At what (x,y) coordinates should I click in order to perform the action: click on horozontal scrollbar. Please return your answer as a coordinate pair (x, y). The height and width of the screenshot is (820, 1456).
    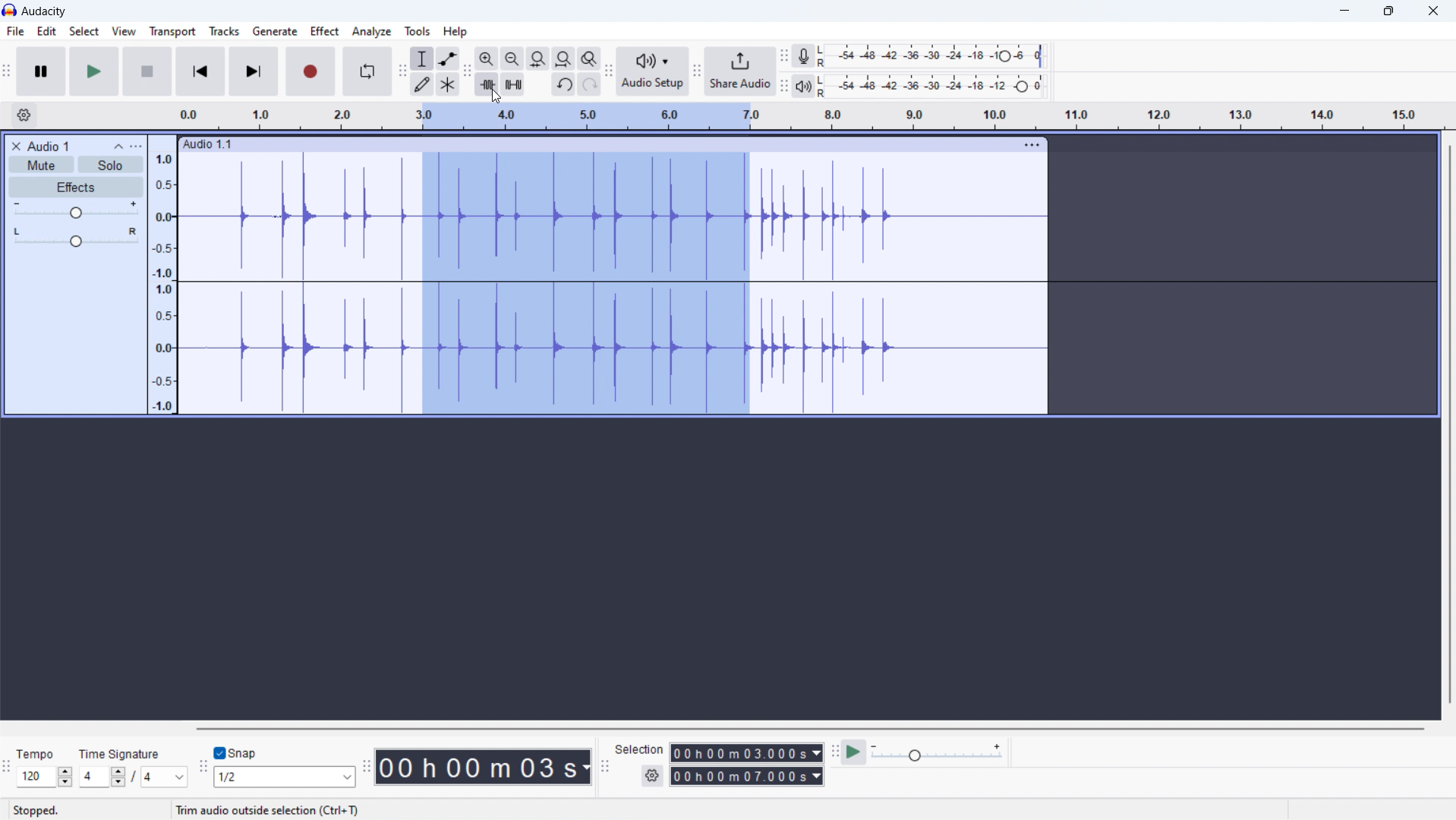
    Looking at the image, I should click on (808, 727).